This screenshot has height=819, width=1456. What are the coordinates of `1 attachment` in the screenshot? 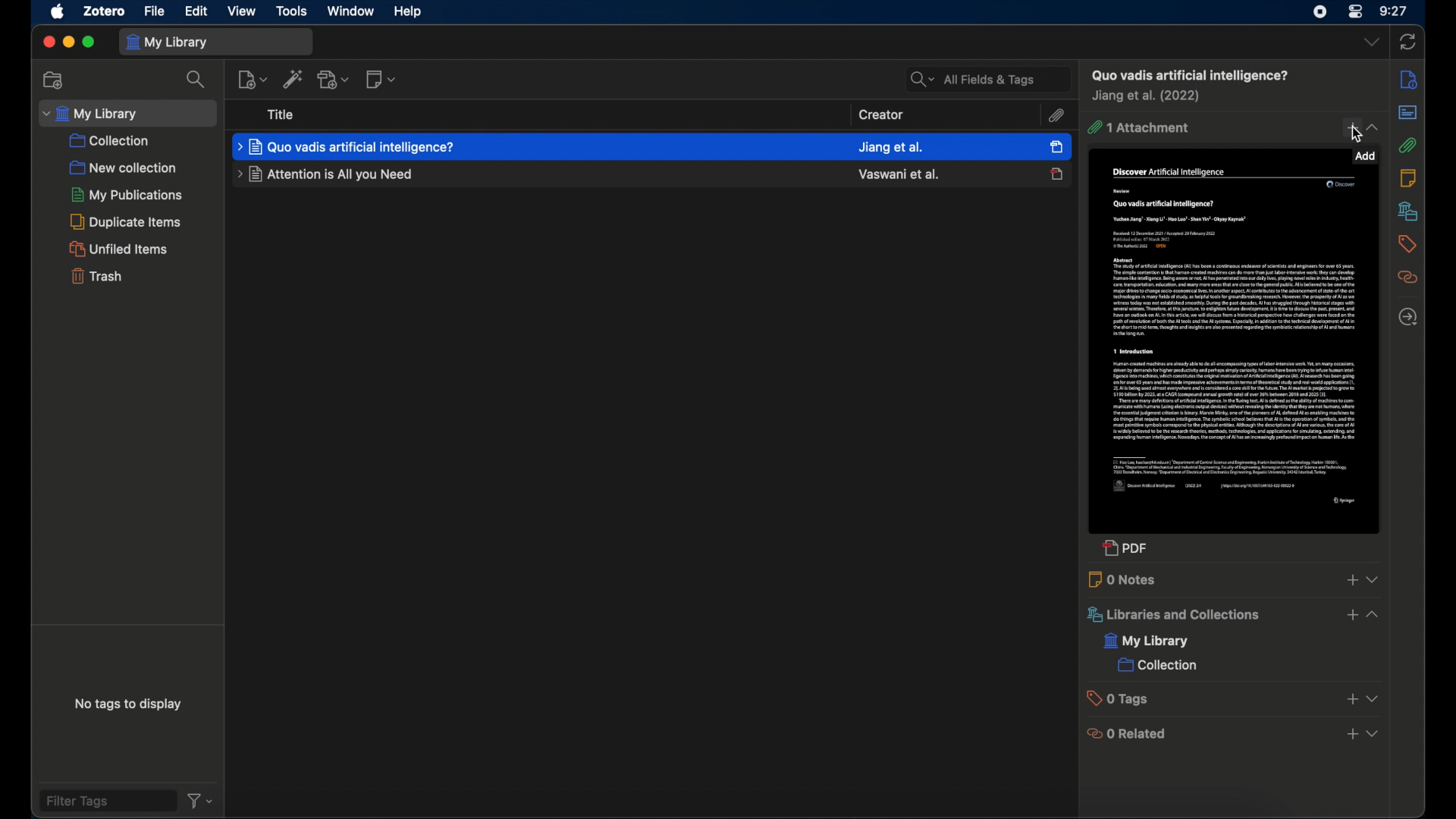 It's located at (1138, 128).